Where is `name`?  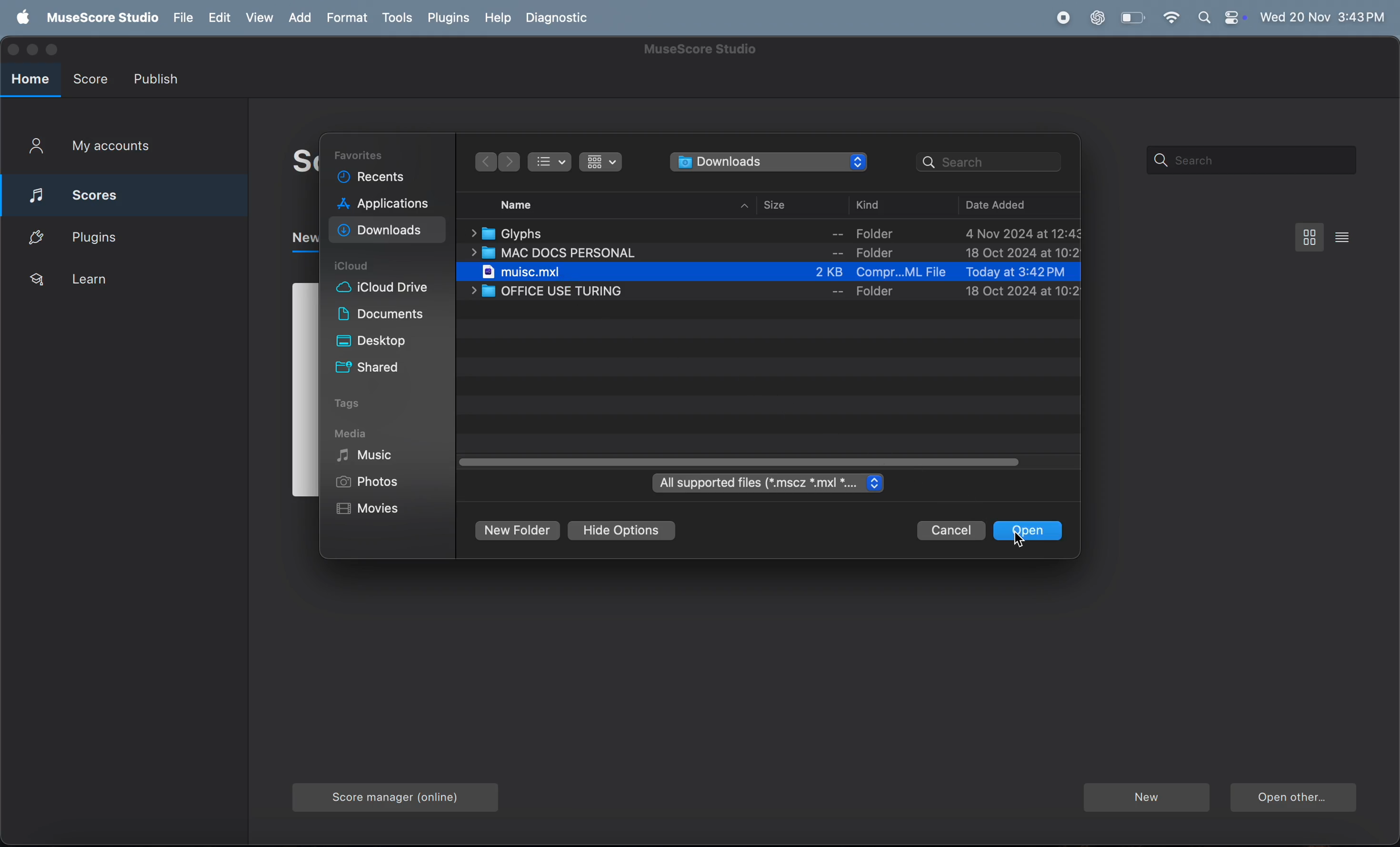
name is located at coordinates (520, 204).